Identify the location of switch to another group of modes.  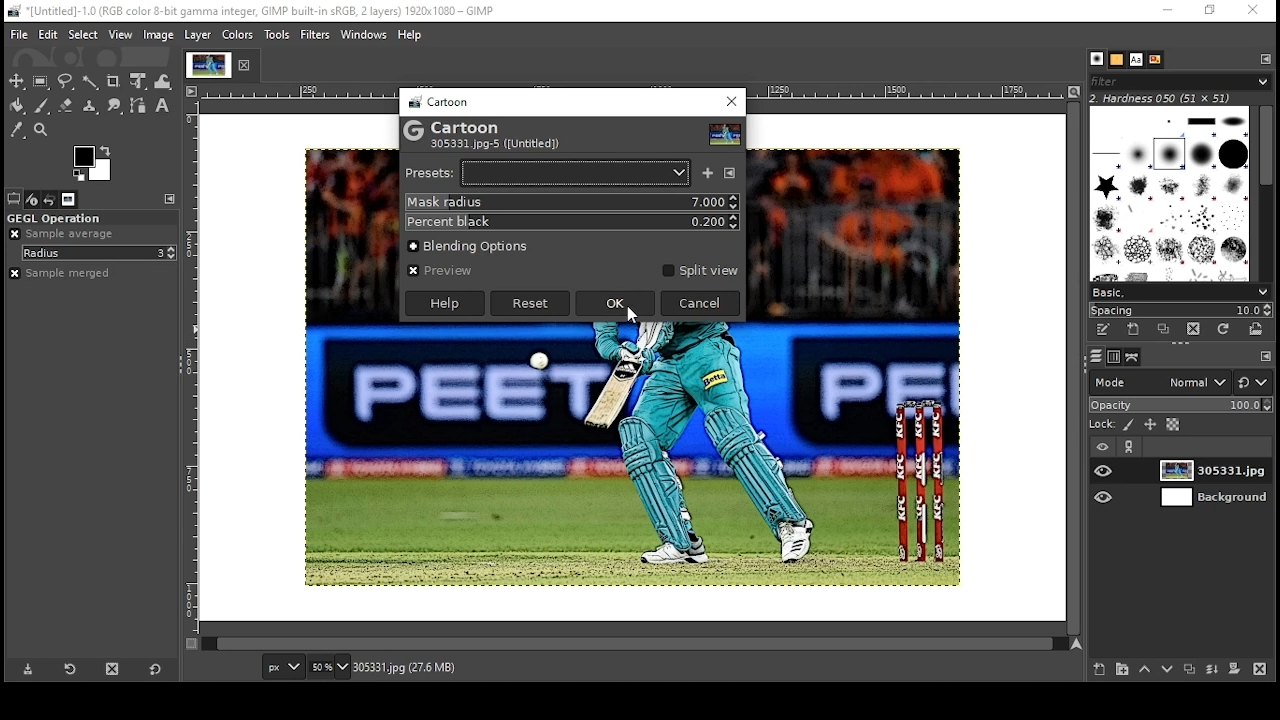
(1255, 382).